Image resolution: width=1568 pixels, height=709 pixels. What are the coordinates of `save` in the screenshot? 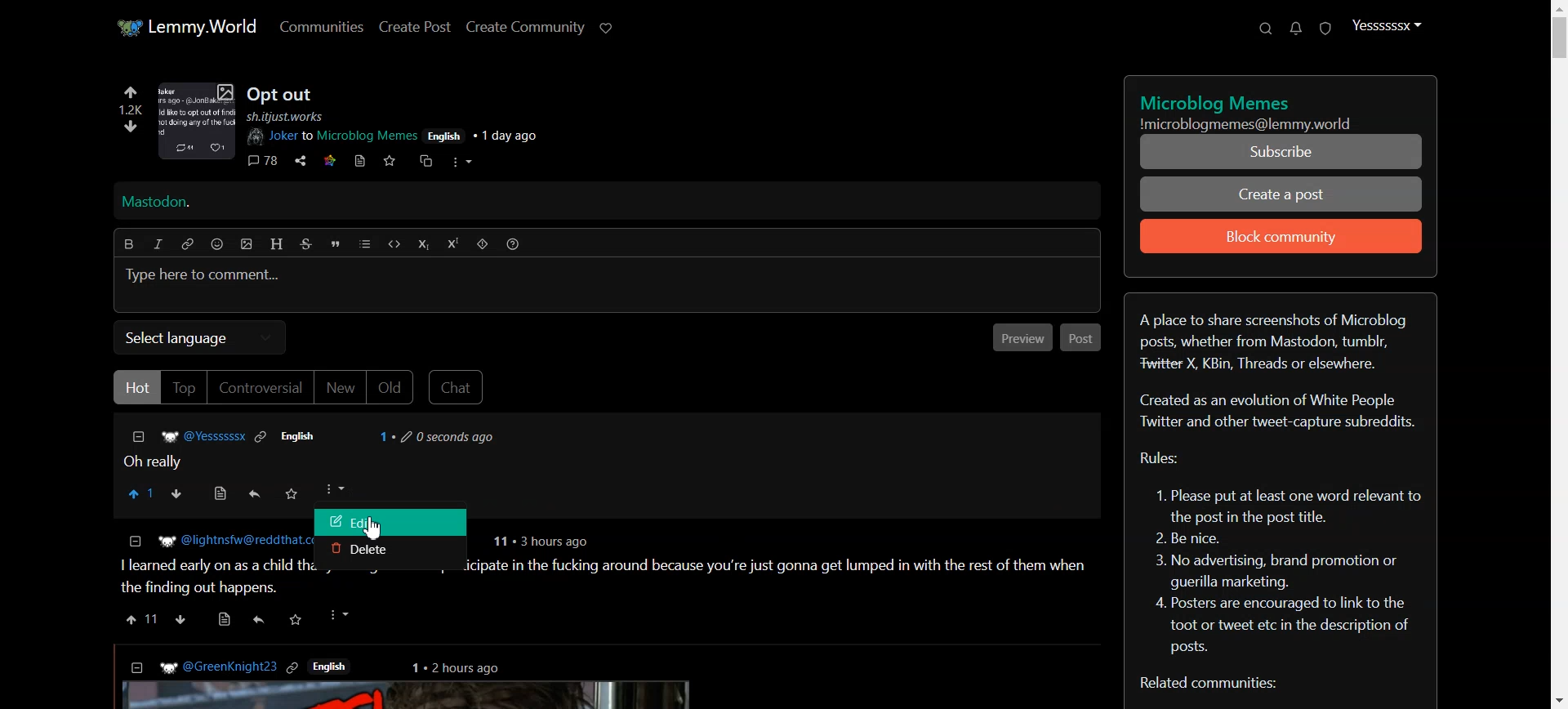 It's located at (298, 618).